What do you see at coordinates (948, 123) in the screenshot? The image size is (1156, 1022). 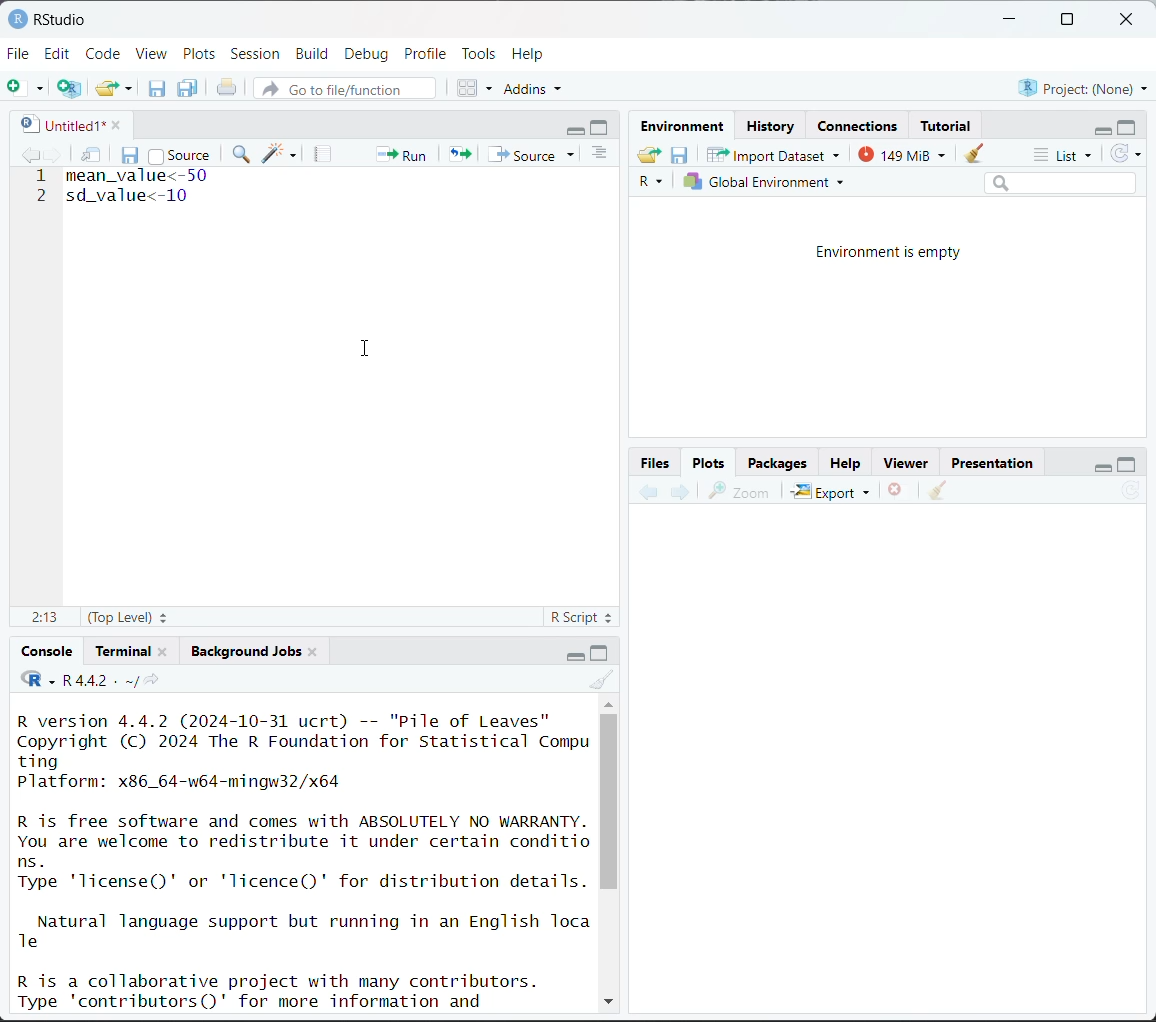 I see `Tutorial` at bounding box center [948, 123].